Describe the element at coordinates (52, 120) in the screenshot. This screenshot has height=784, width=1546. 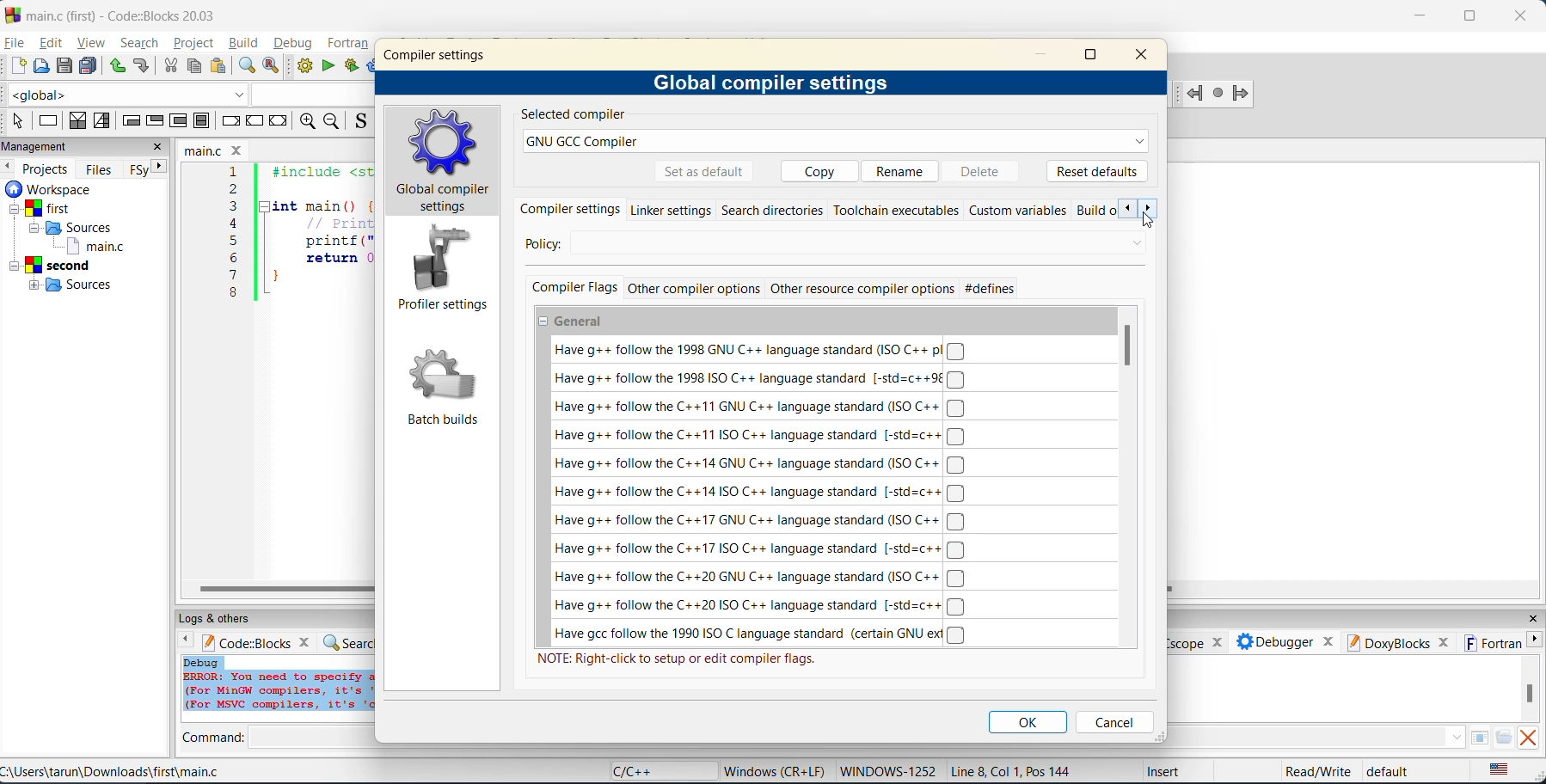
I see `instruction` at that location.